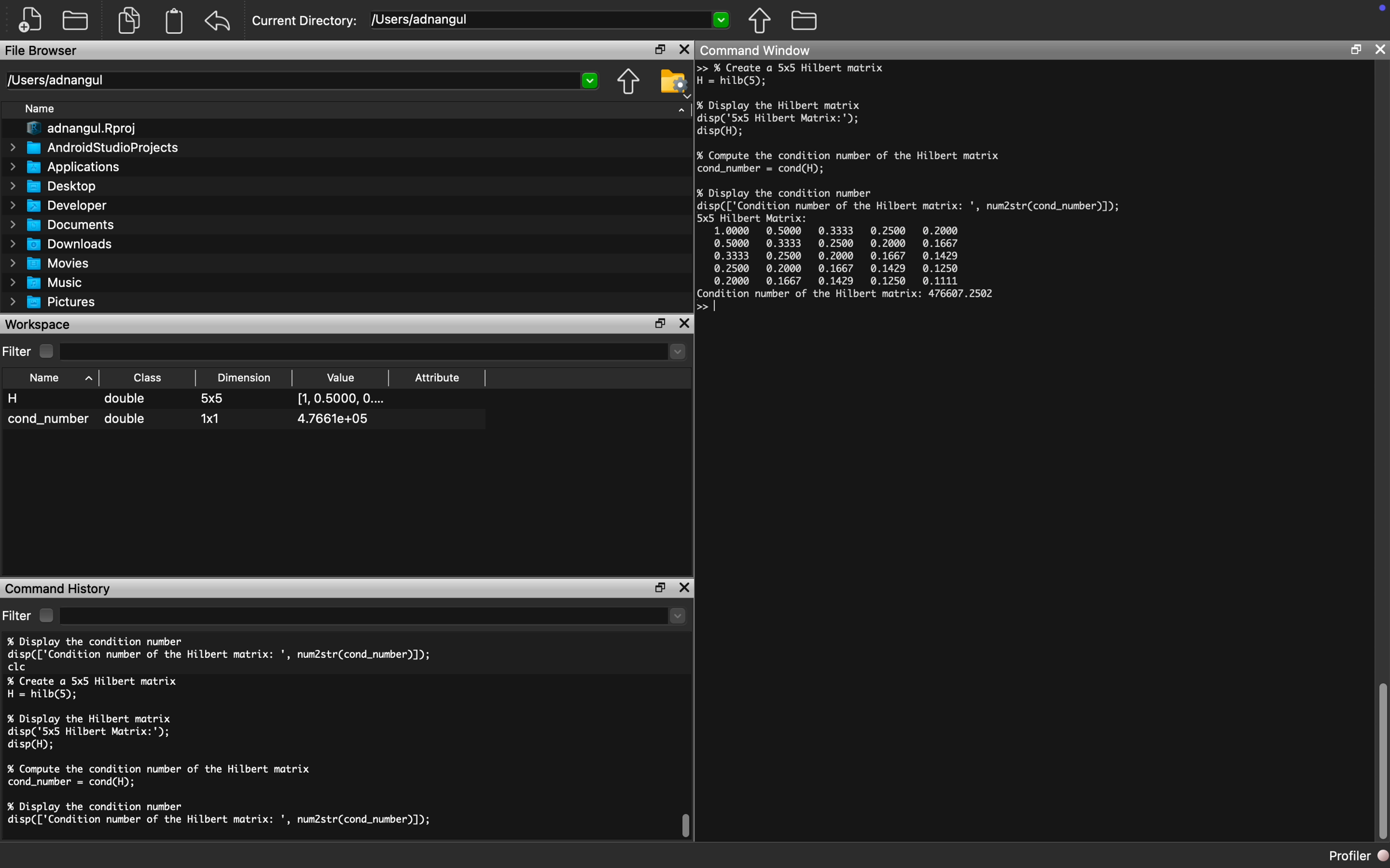  I want to click on Checkbox, so click(46, 615).